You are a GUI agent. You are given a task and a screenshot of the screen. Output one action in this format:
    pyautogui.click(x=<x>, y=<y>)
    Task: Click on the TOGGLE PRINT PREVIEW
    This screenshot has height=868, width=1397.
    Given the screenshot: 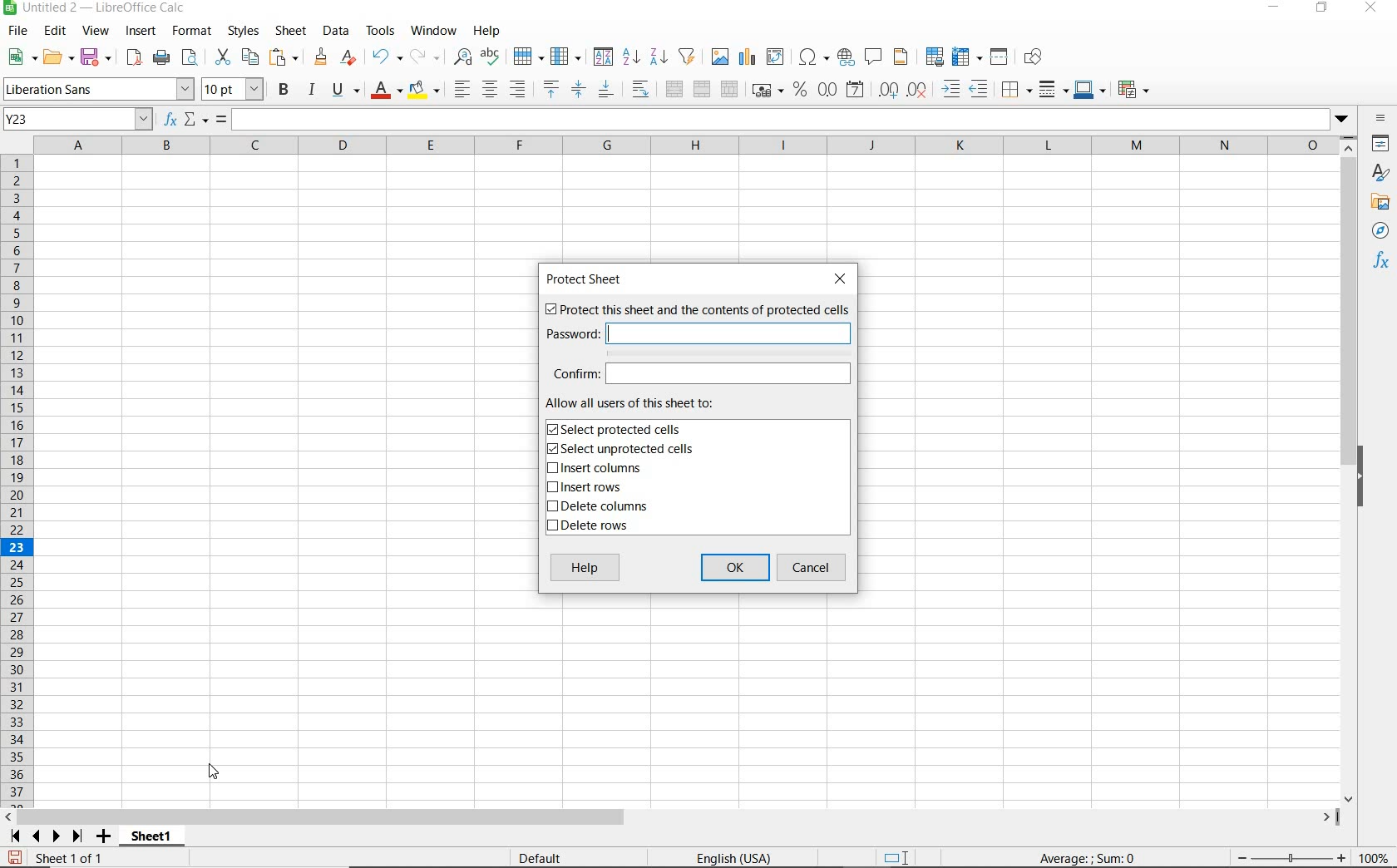 What is the action you would take?
    pyautogui.click(x=192, y=57)
    